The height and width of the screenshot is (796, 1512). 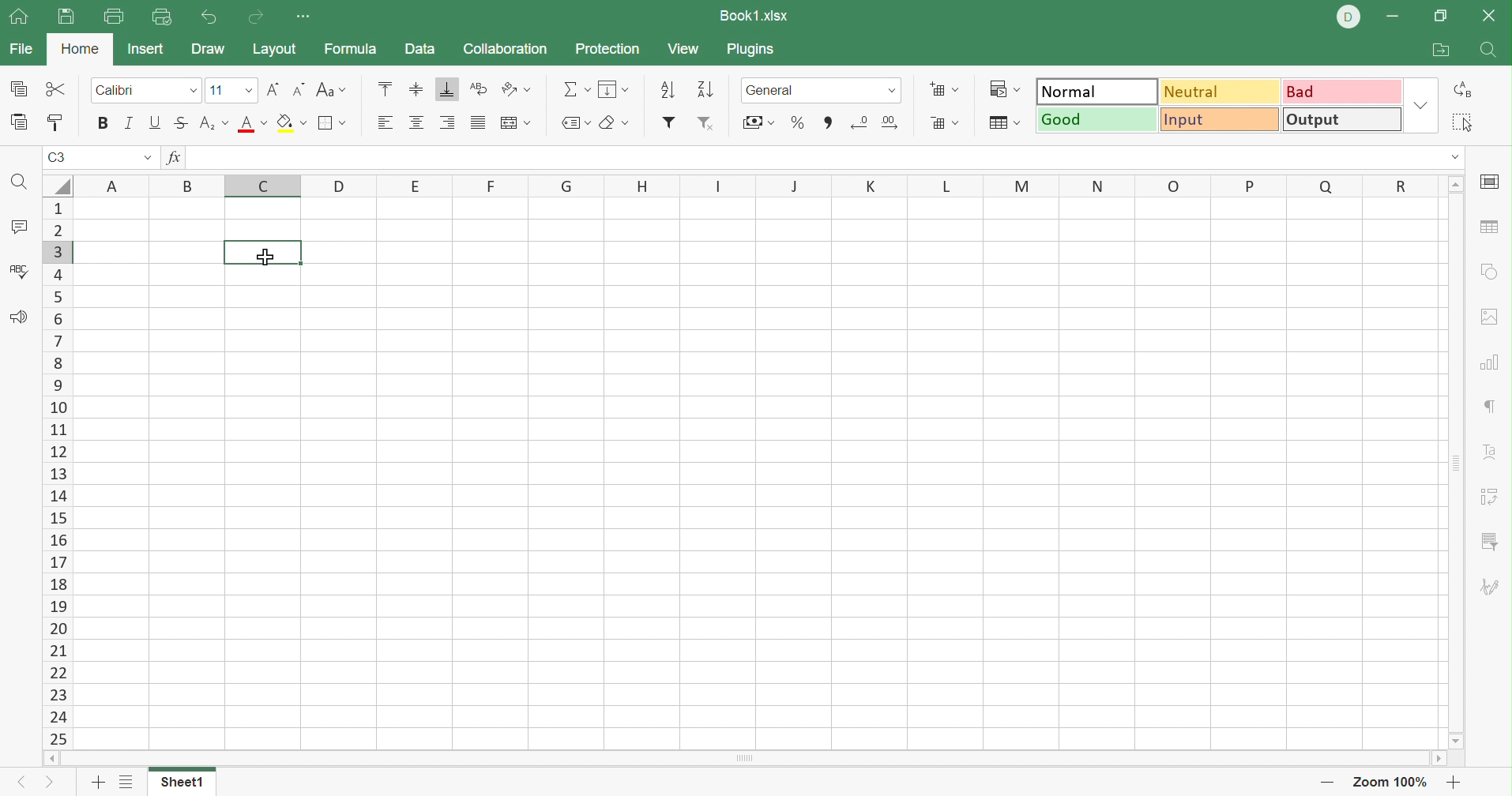 I want to click on Format as table template, so click(x=1005, y=123).